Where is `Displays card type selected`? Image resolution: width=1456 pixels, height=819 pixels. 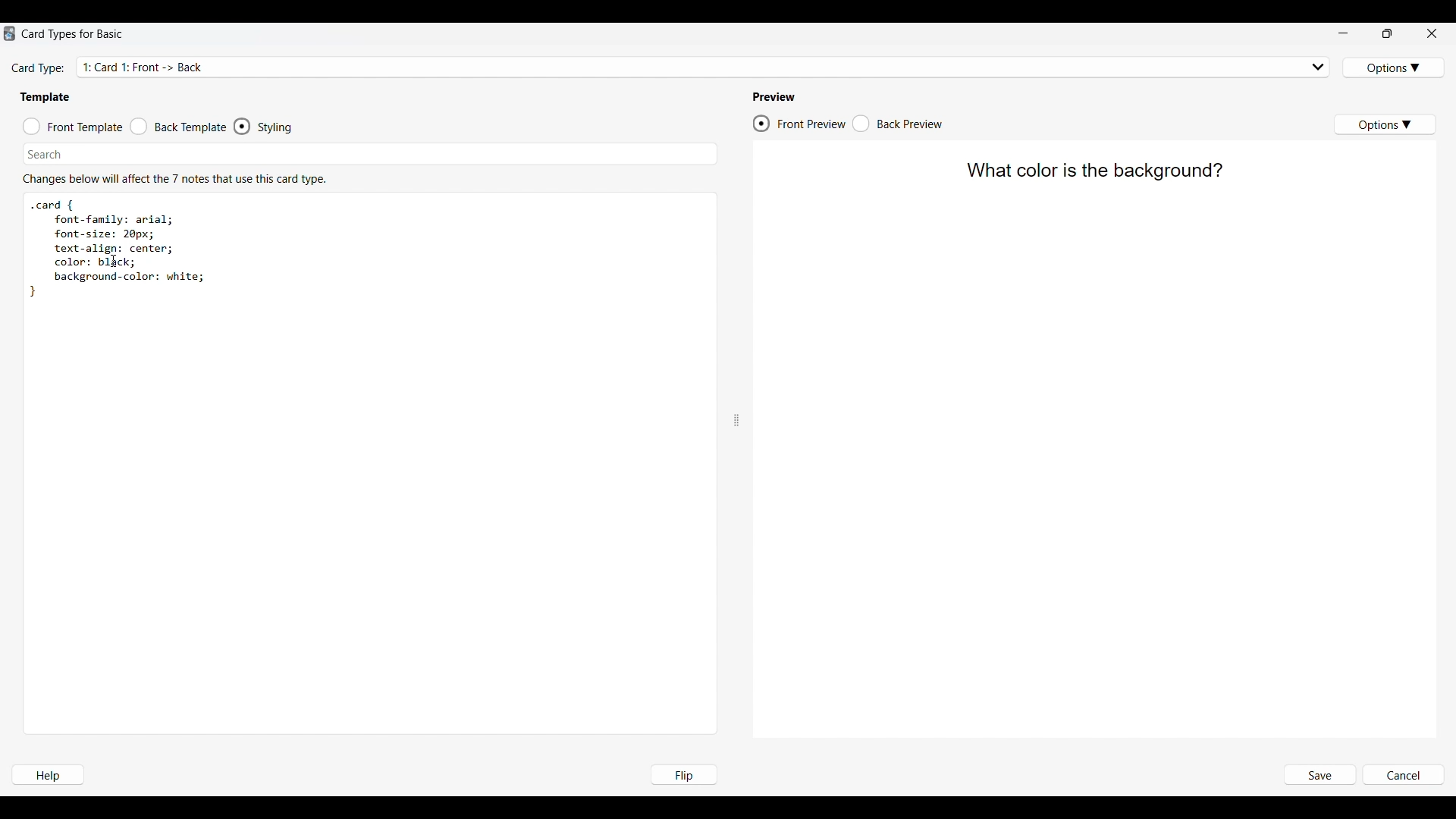 Displays card type selected is located at coordinates (705, 66).